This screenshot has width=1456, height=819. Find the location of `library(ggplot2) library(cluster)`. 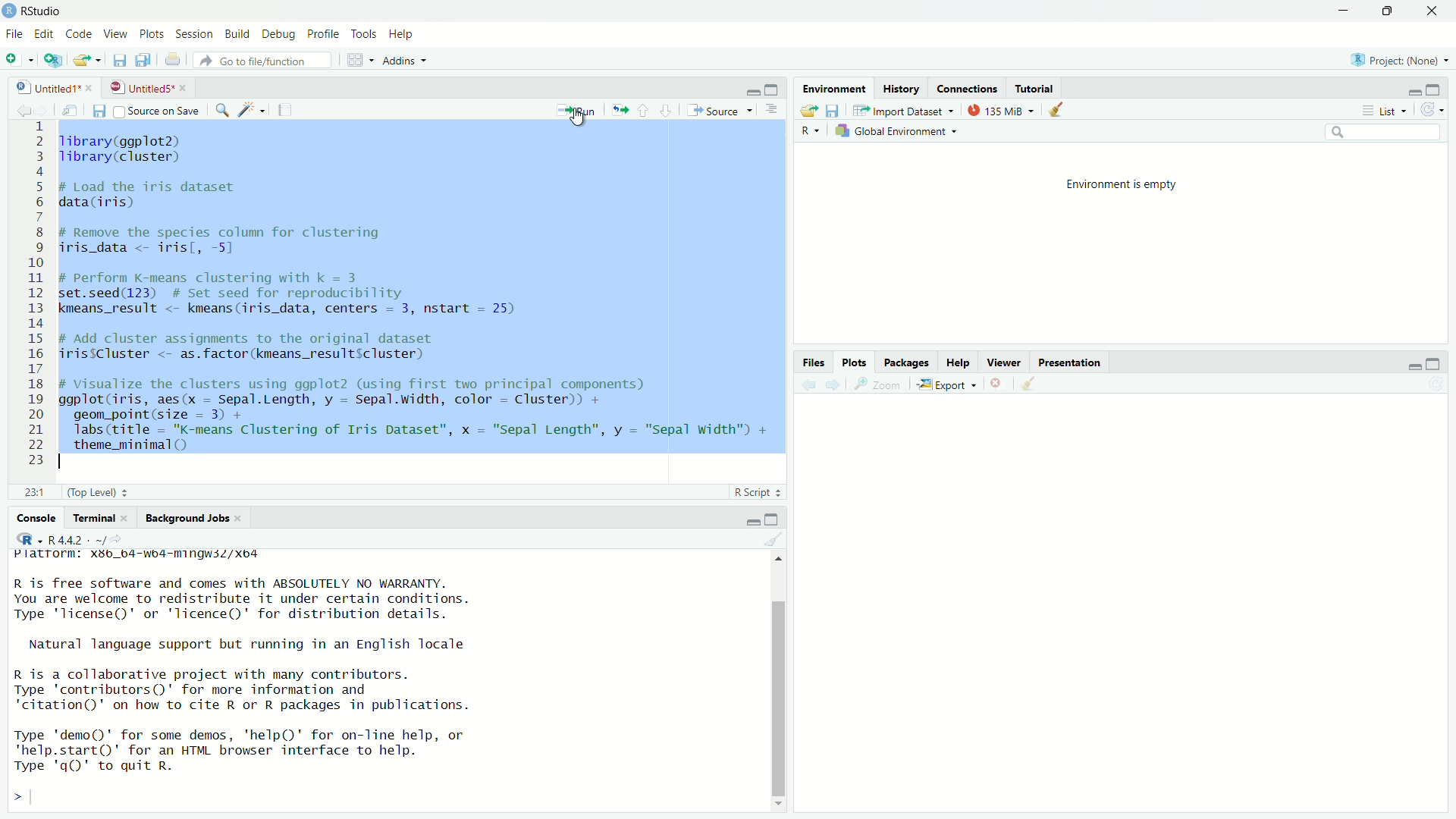

library(ggplot2) library(cluster) is located at coordinates (148, 149).